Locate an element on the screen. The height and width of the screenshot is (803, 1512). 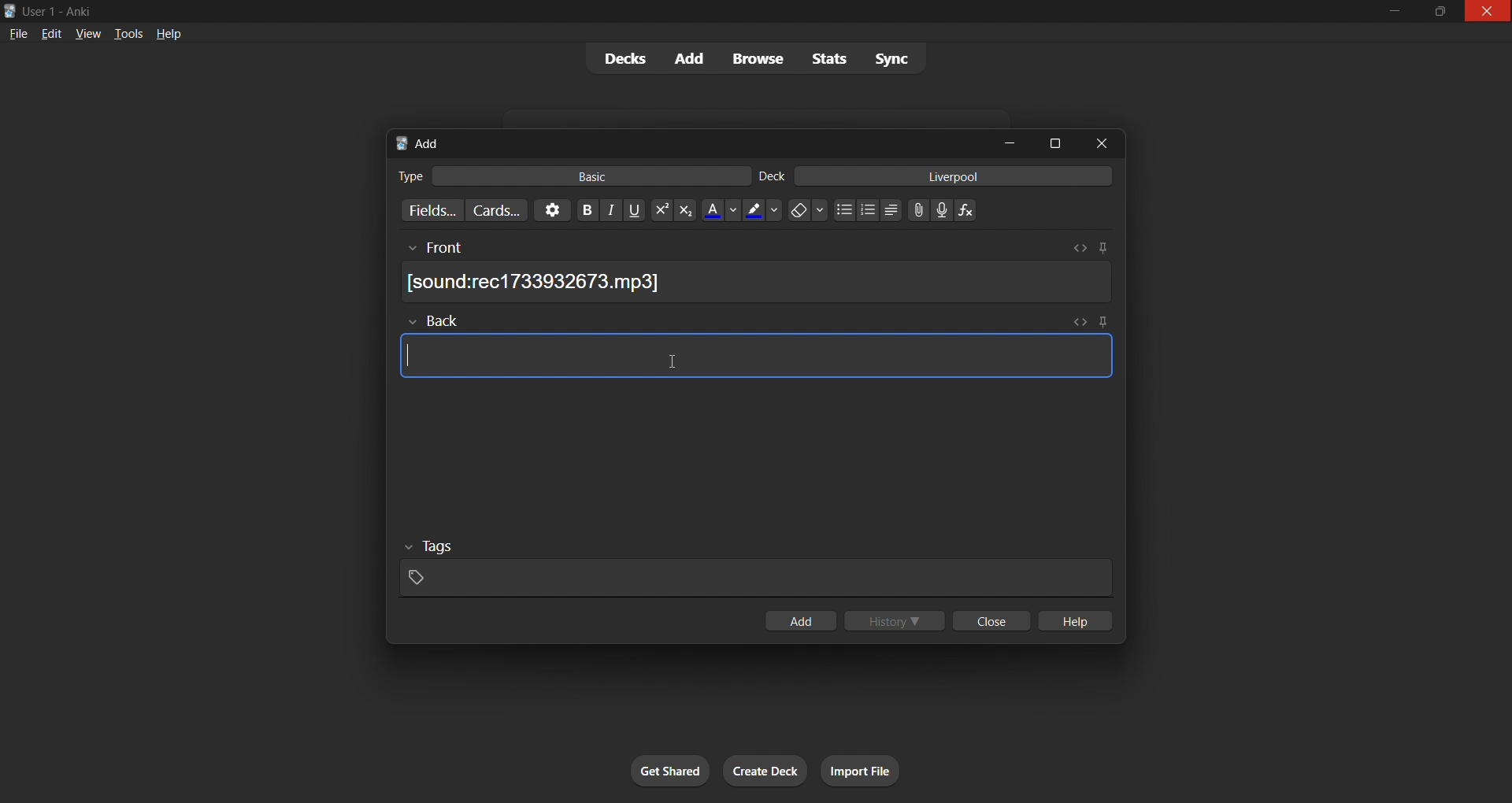
minimize is located at coordinates (1013, 142).